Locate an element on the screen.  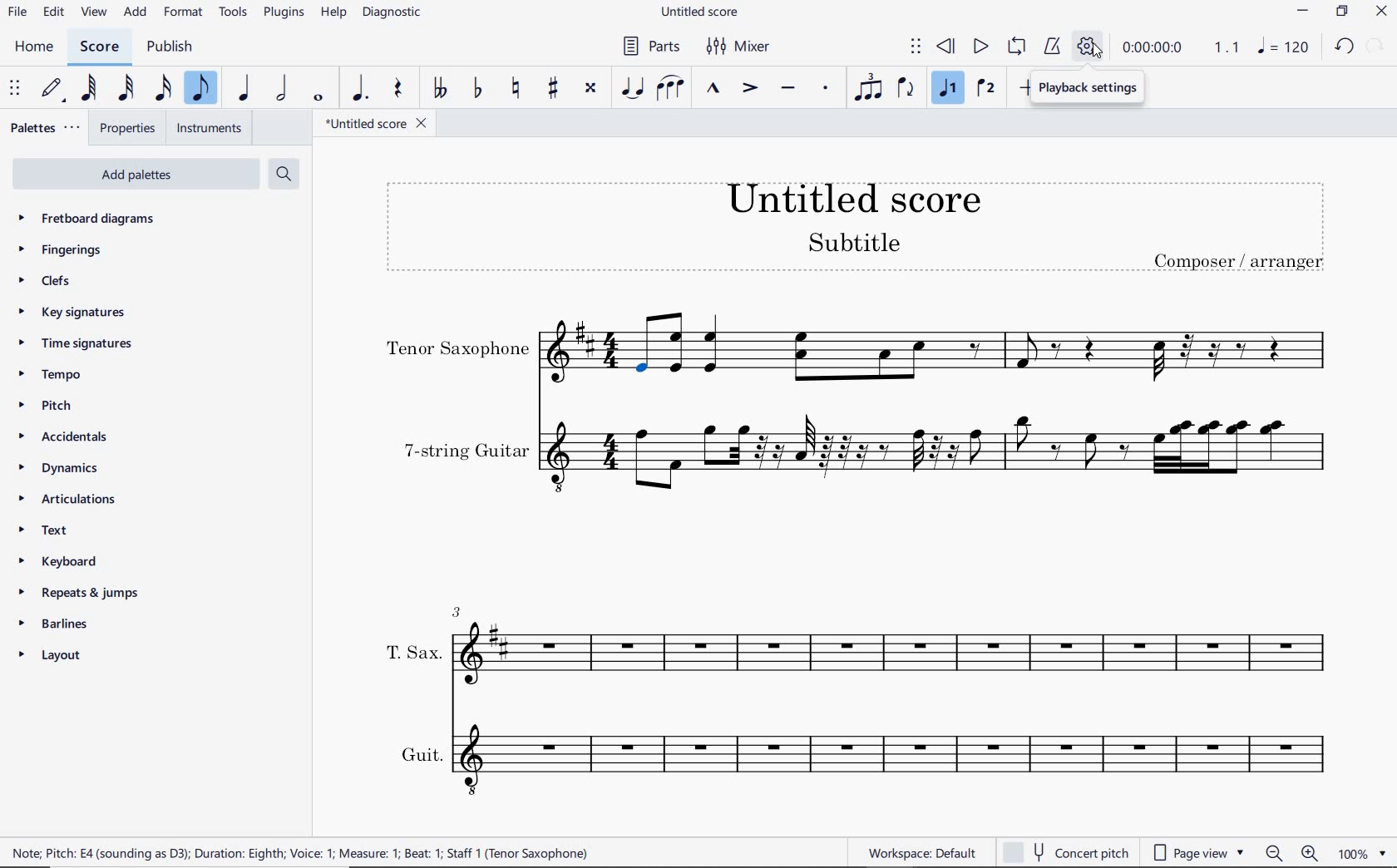
cursor is located at coordinates (1098, 55).